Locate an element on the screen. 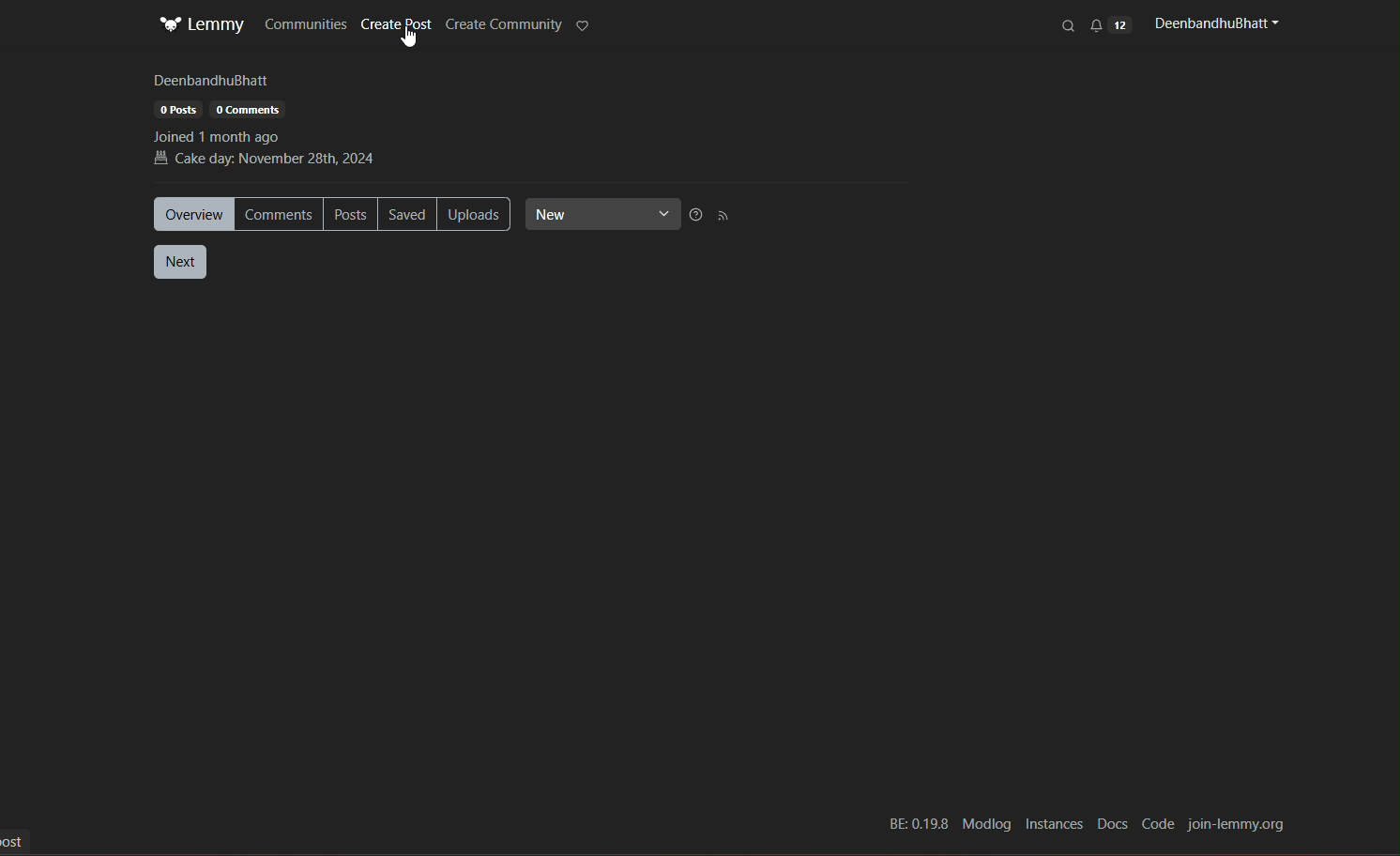 This screenshot has height=856, width=1400. Join-lemmy.org is located at coordinates (1238, 826).